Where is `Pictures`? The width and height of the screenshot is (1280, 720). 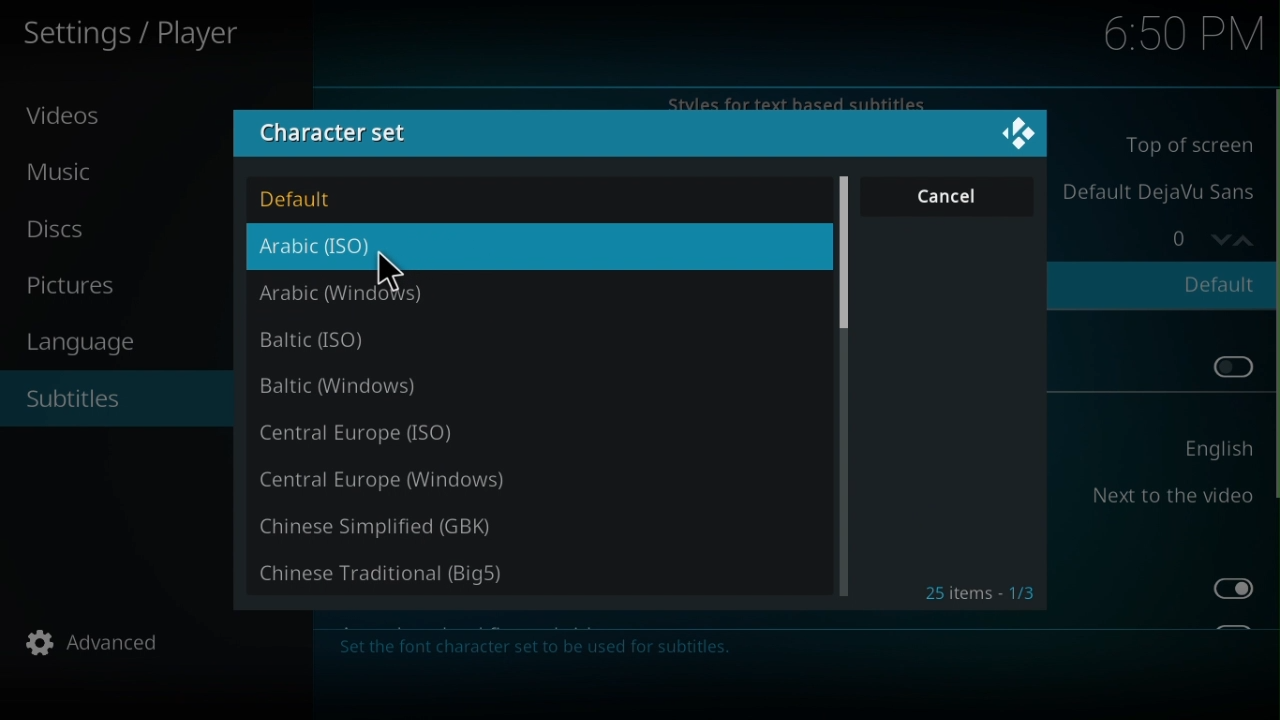
Pictures is located at coordinates (75, 284).